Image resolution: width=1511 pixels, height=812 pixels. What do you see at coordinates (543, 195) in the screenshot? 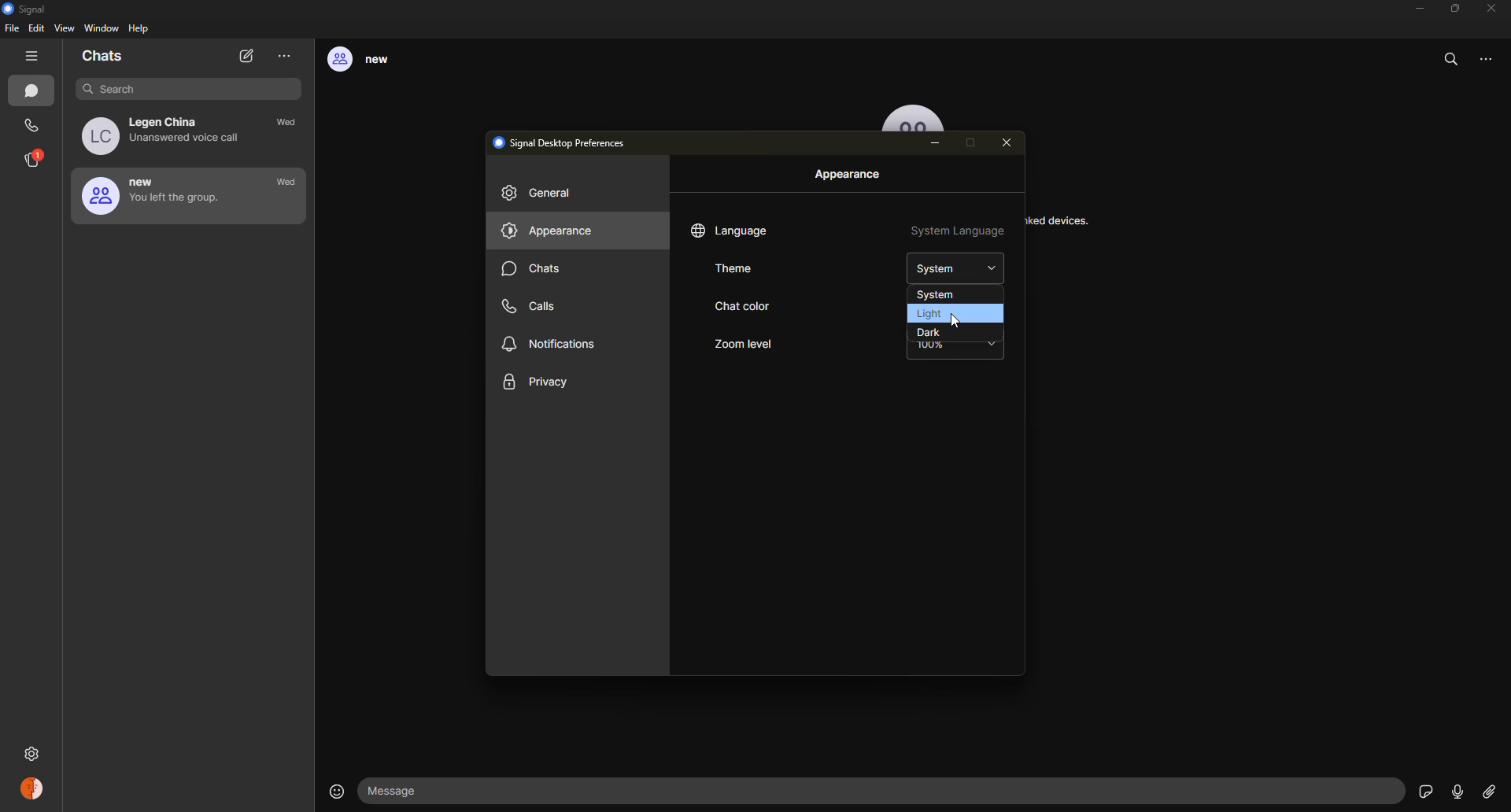
I see `general` at bounding box center [543, 195].